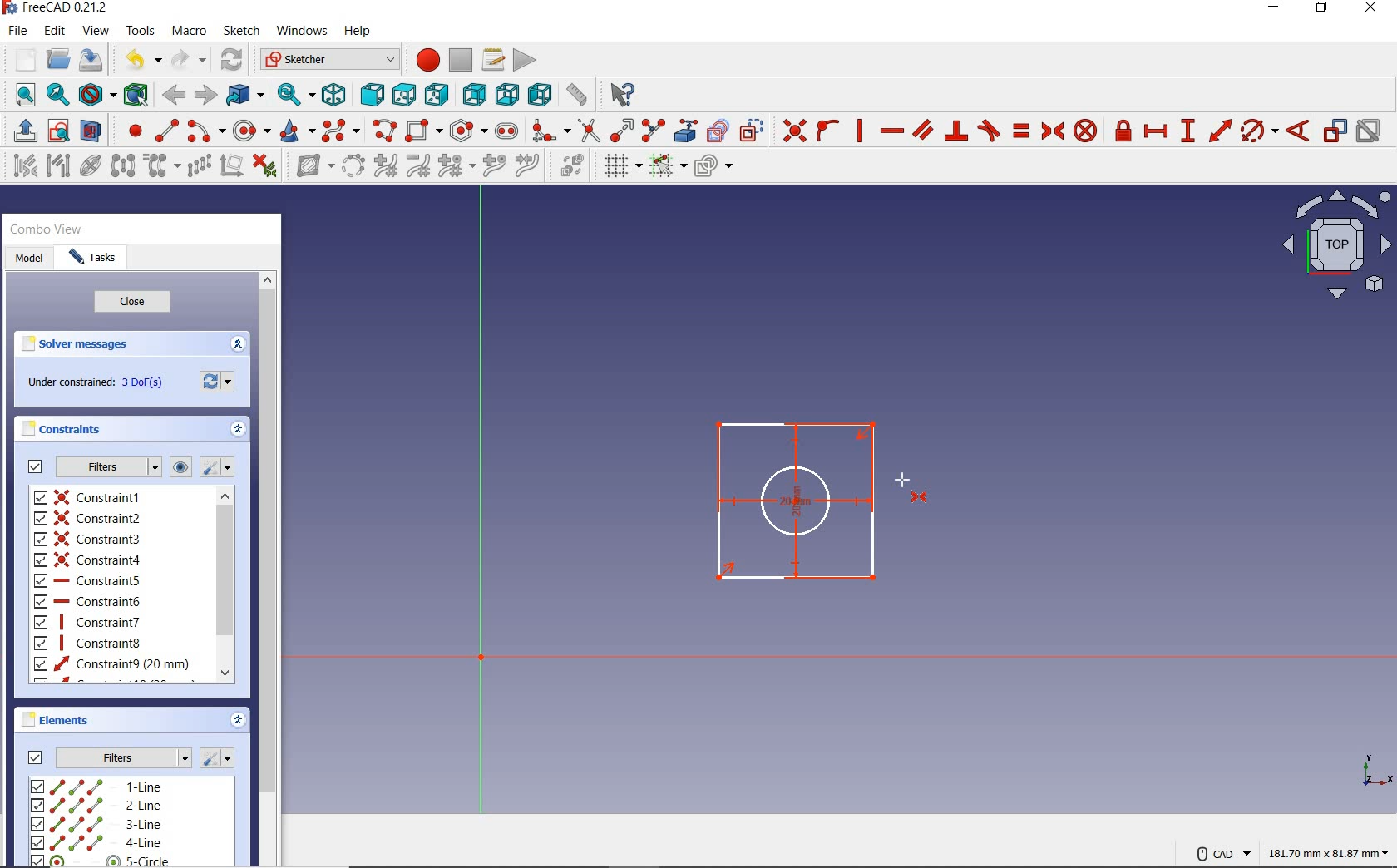  I want to click on select associated constraints, so click(22, 166).